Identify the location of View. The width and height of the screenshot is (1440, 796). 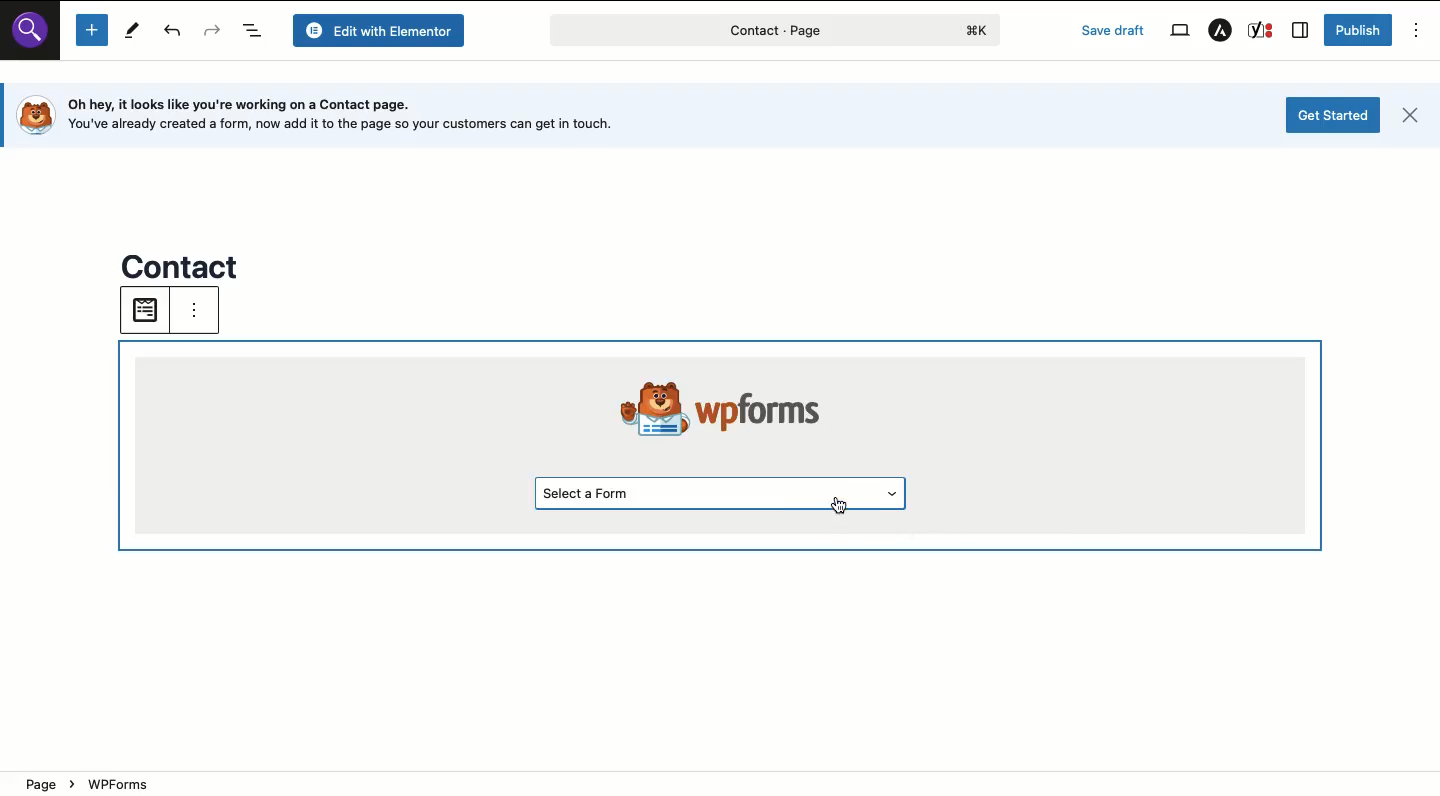
(1178, 29).